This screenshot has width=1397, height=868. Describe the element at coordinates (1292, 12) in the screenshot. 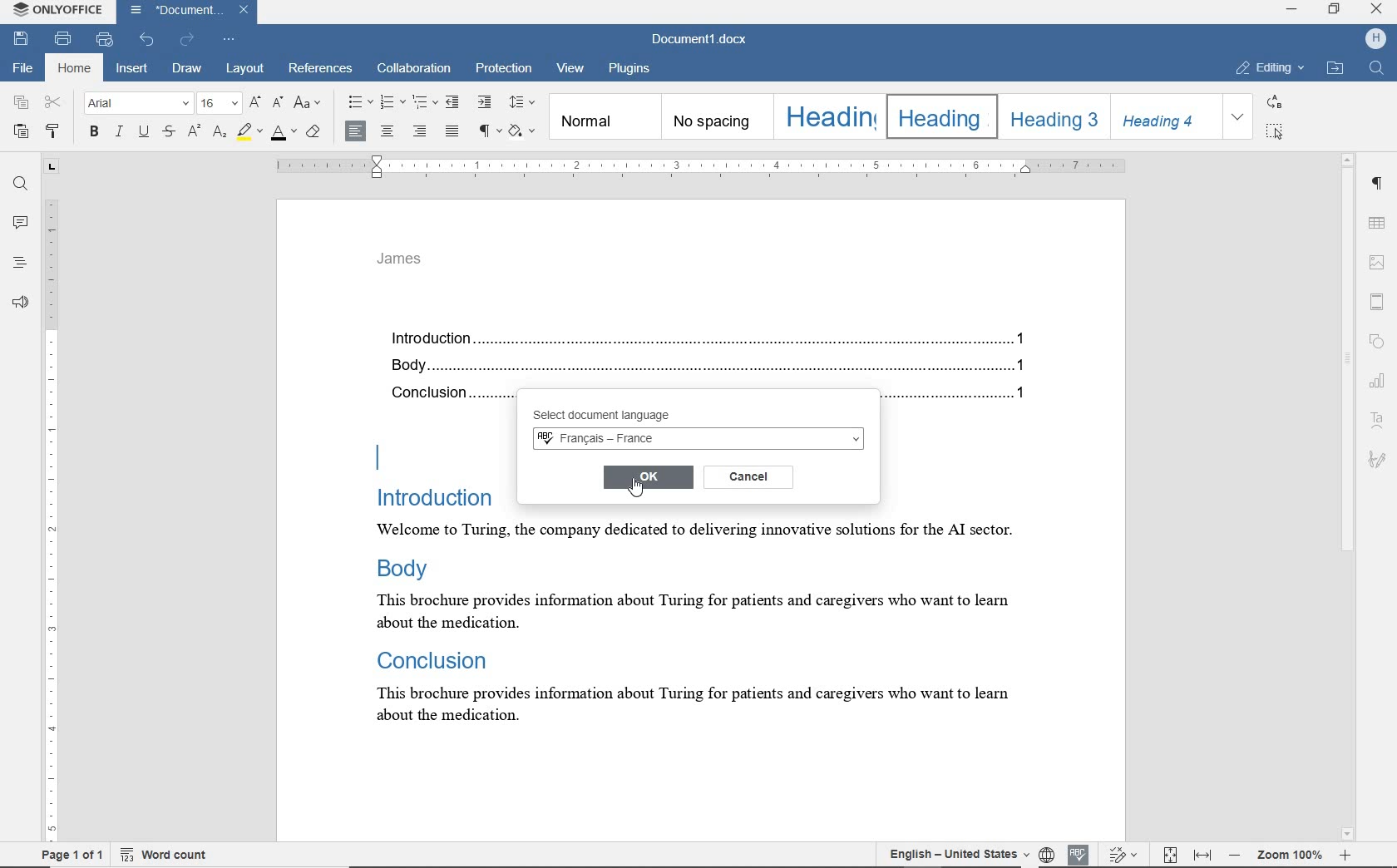

I see `MINIMIZE` at that location.